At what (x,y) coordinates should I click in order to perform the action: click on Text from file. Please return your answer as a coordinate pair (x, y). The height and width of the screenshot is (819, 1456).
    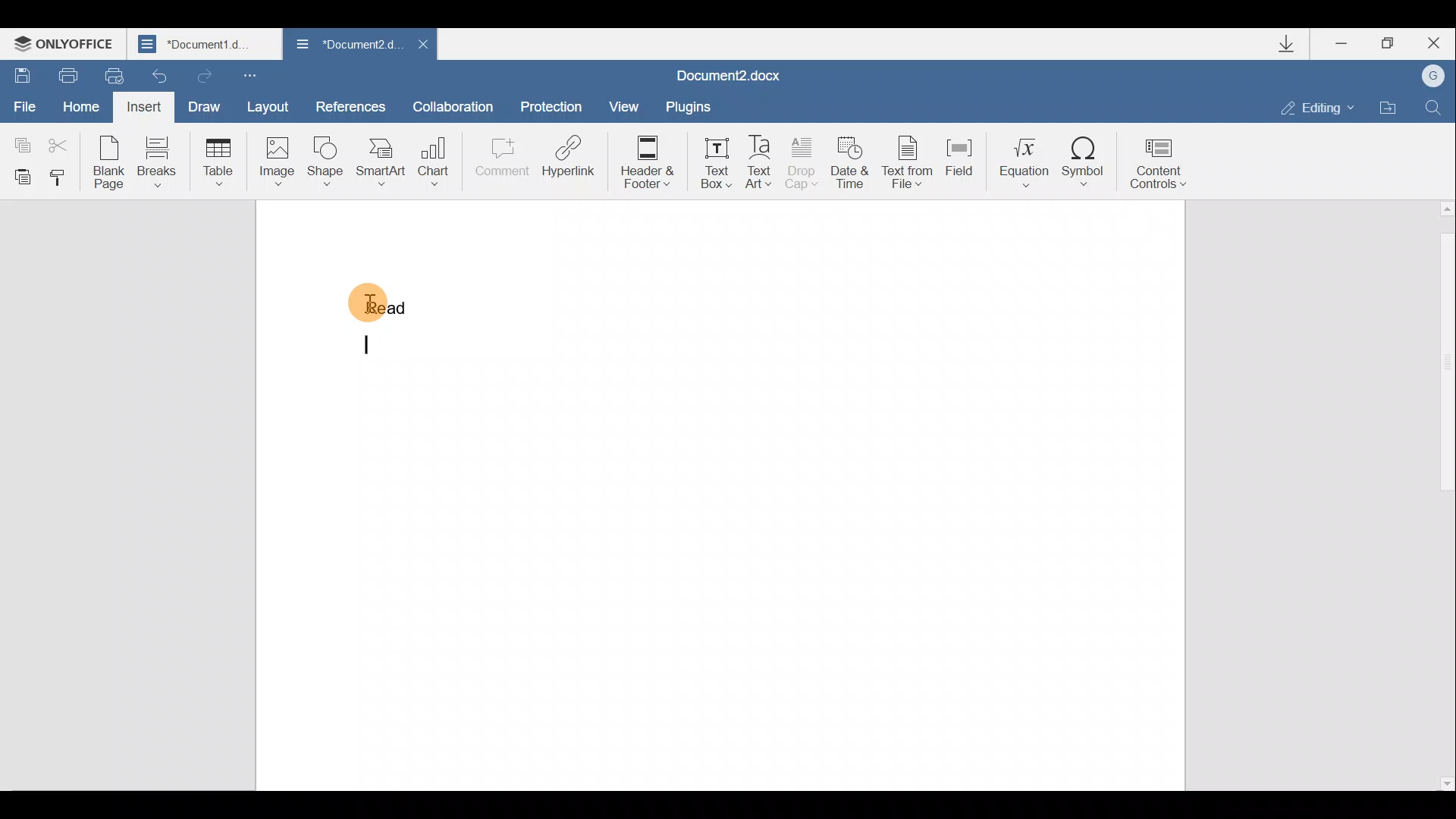
    Looking at the image, I should click on (909, 165).